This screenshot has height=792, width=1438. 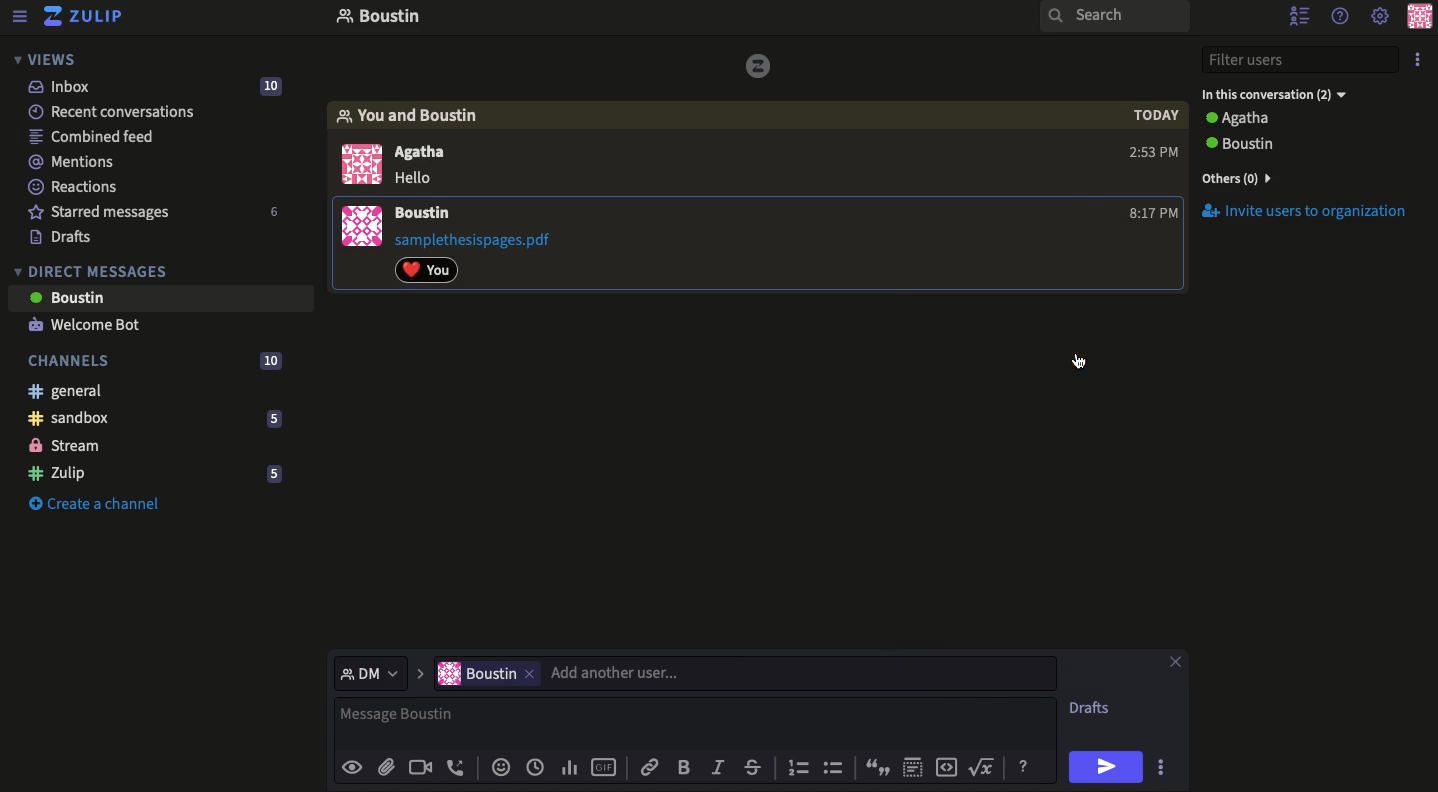 What do you see at coordinates (797, 766) in the screenshot?
I see `Numbered list` at bounding box center [797, 766].